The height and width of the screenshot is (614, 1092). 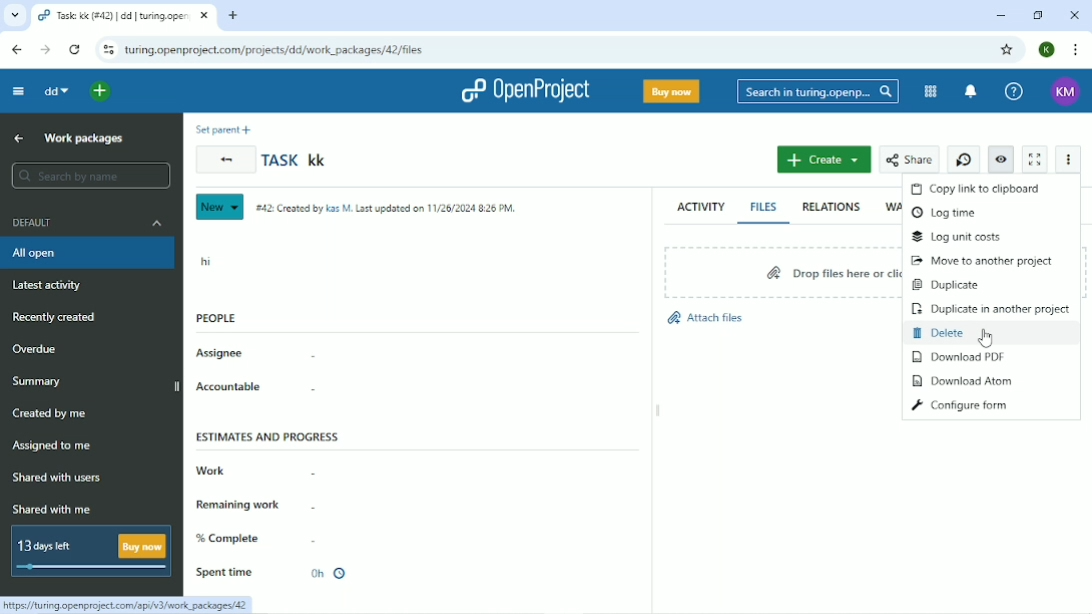 I want to click on Summary, so click(x=37, y=382).